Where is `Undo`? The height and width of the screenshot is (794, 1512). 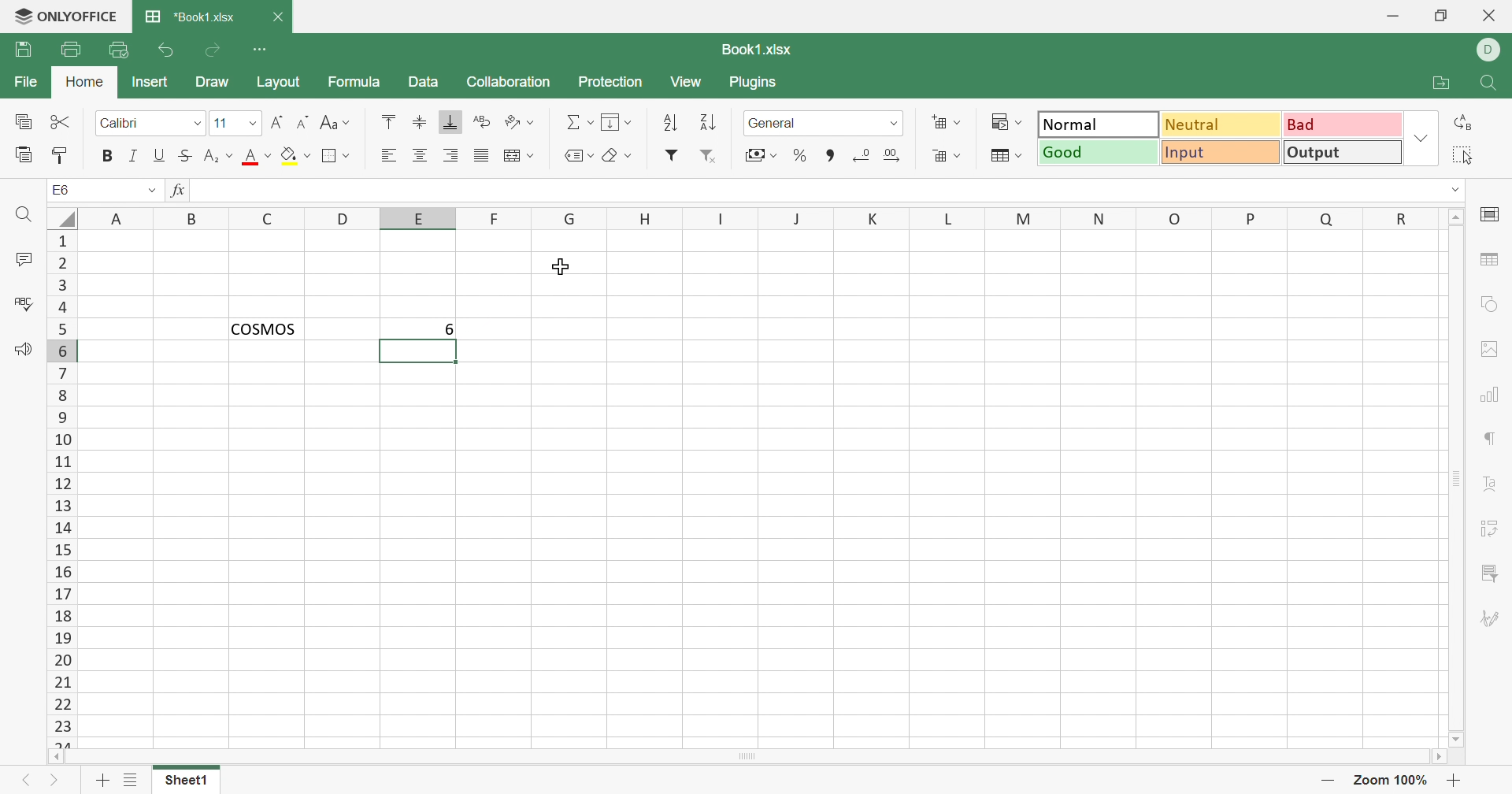
Undo is located at coordinates (169, 50).